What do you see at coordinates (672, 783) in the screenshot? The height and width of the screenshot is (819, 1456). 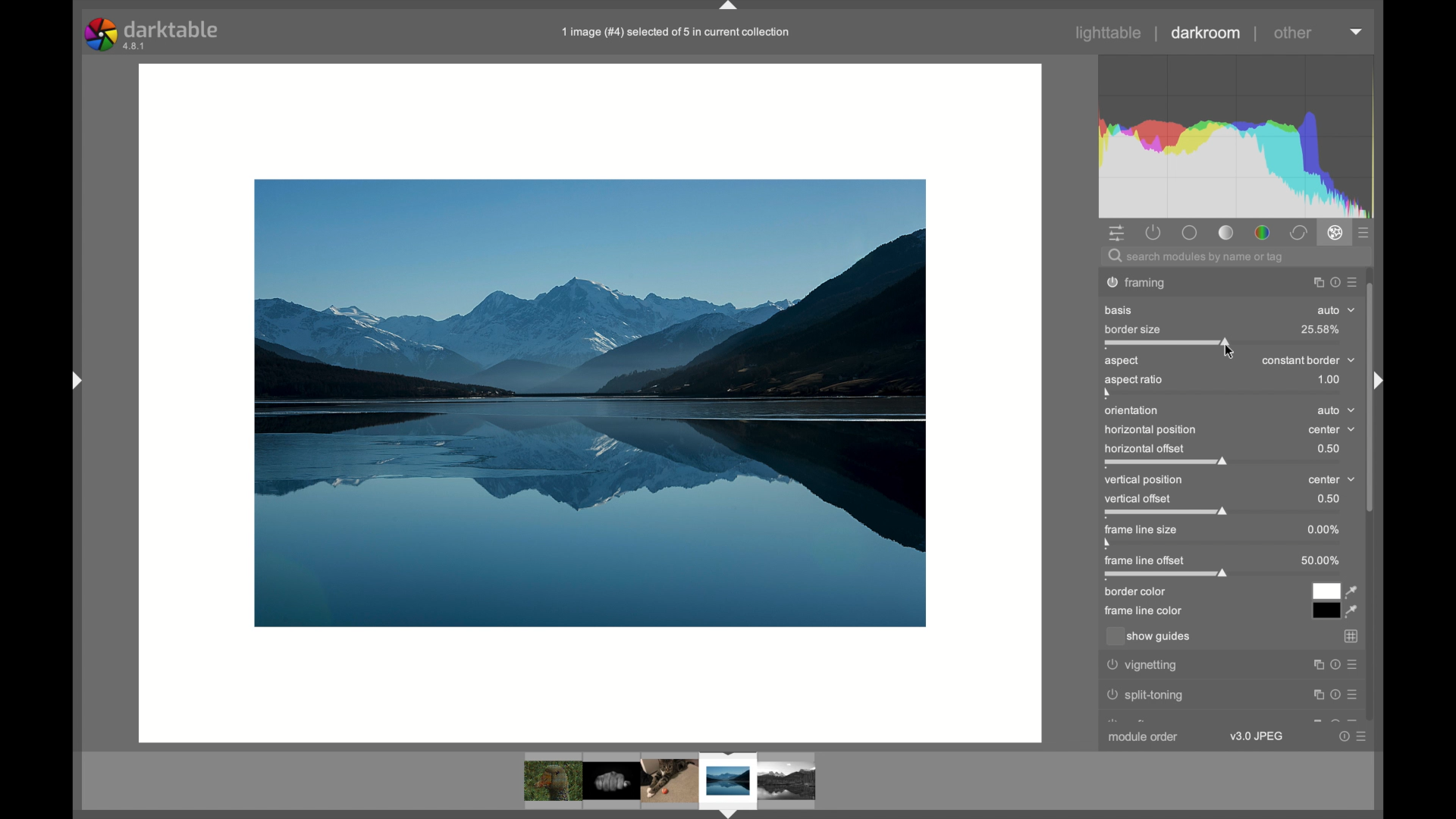 I see `photo preview` at bounding box center [672, 783].